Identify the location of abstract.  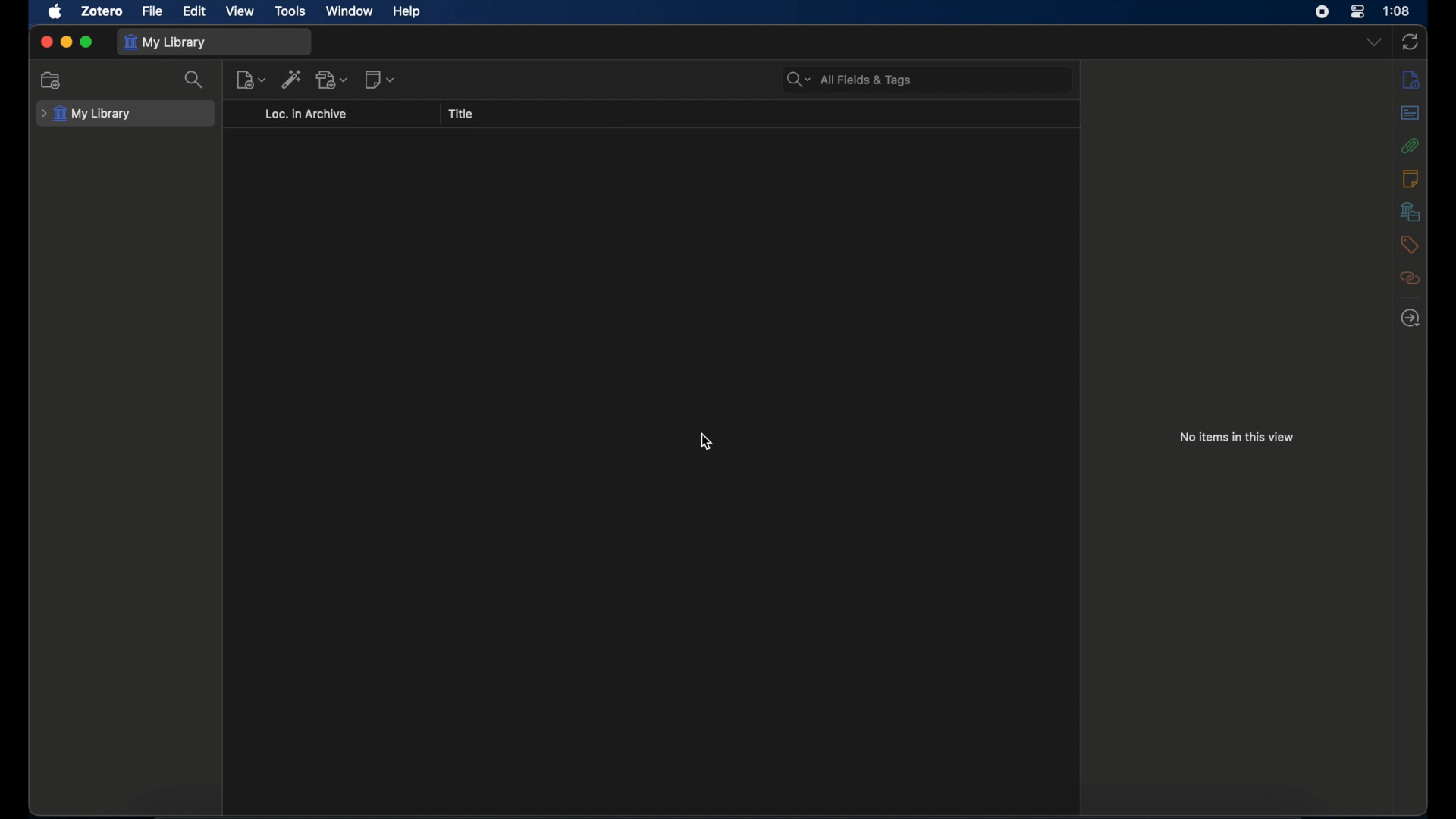
(1410, 113).